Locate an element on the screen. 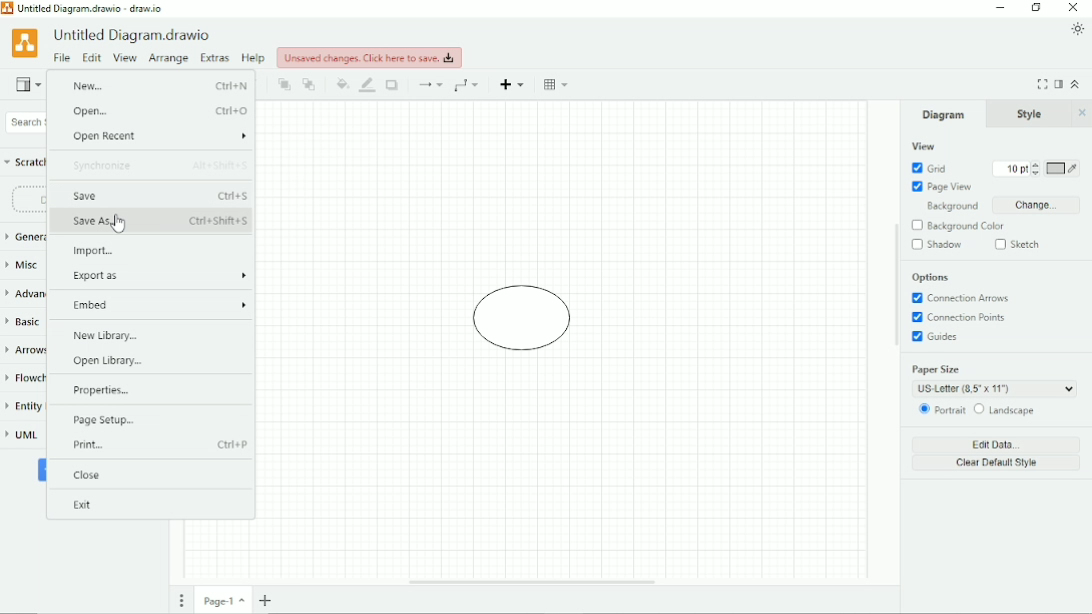 This screenshot has width=1092, height=614. Page number is located at coordinates (224, 603).